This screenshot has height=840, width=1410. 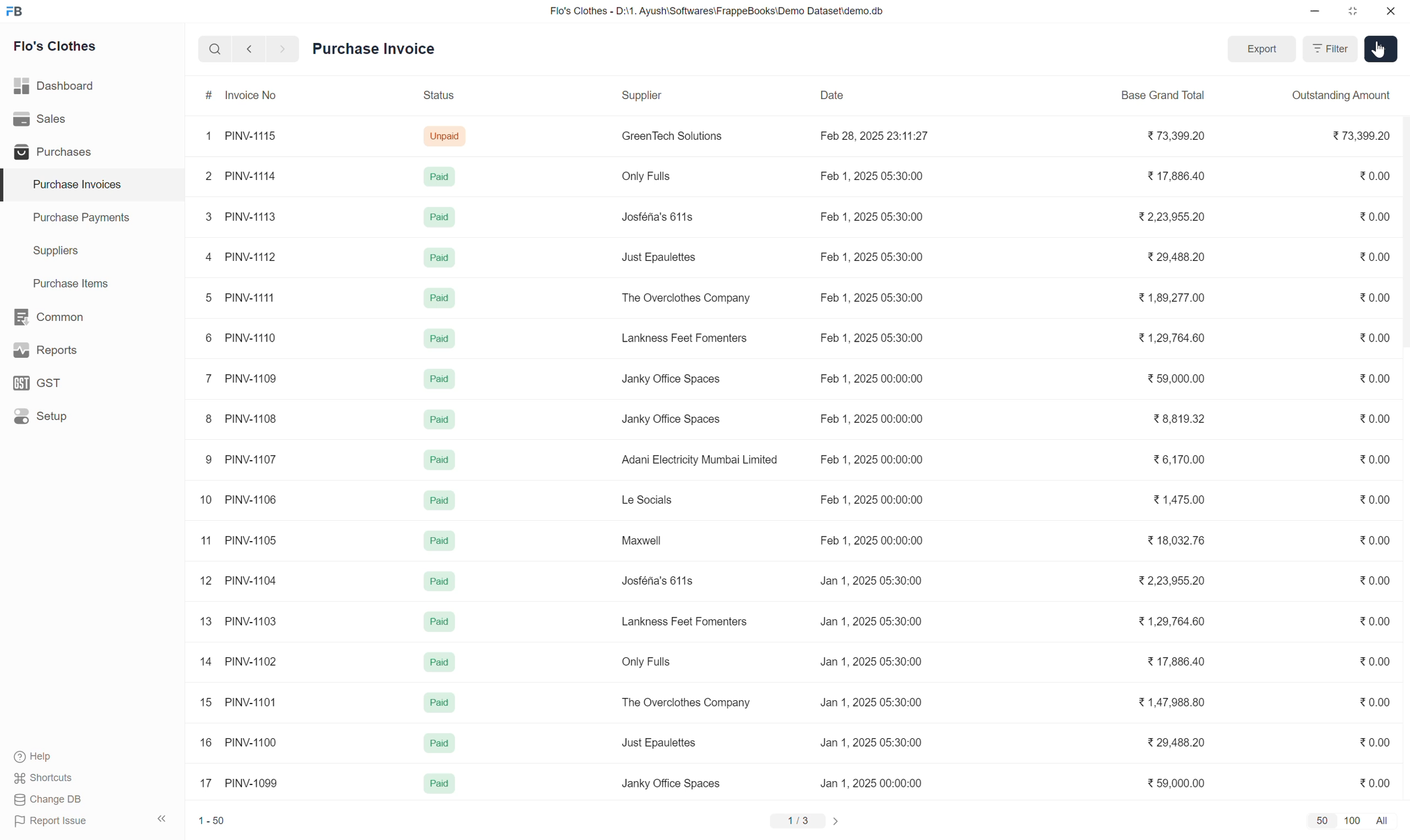 What do you see at coordinates (251, 498) in the screenshot?
I see `PINV-1106` at bounding box center [251, 498].